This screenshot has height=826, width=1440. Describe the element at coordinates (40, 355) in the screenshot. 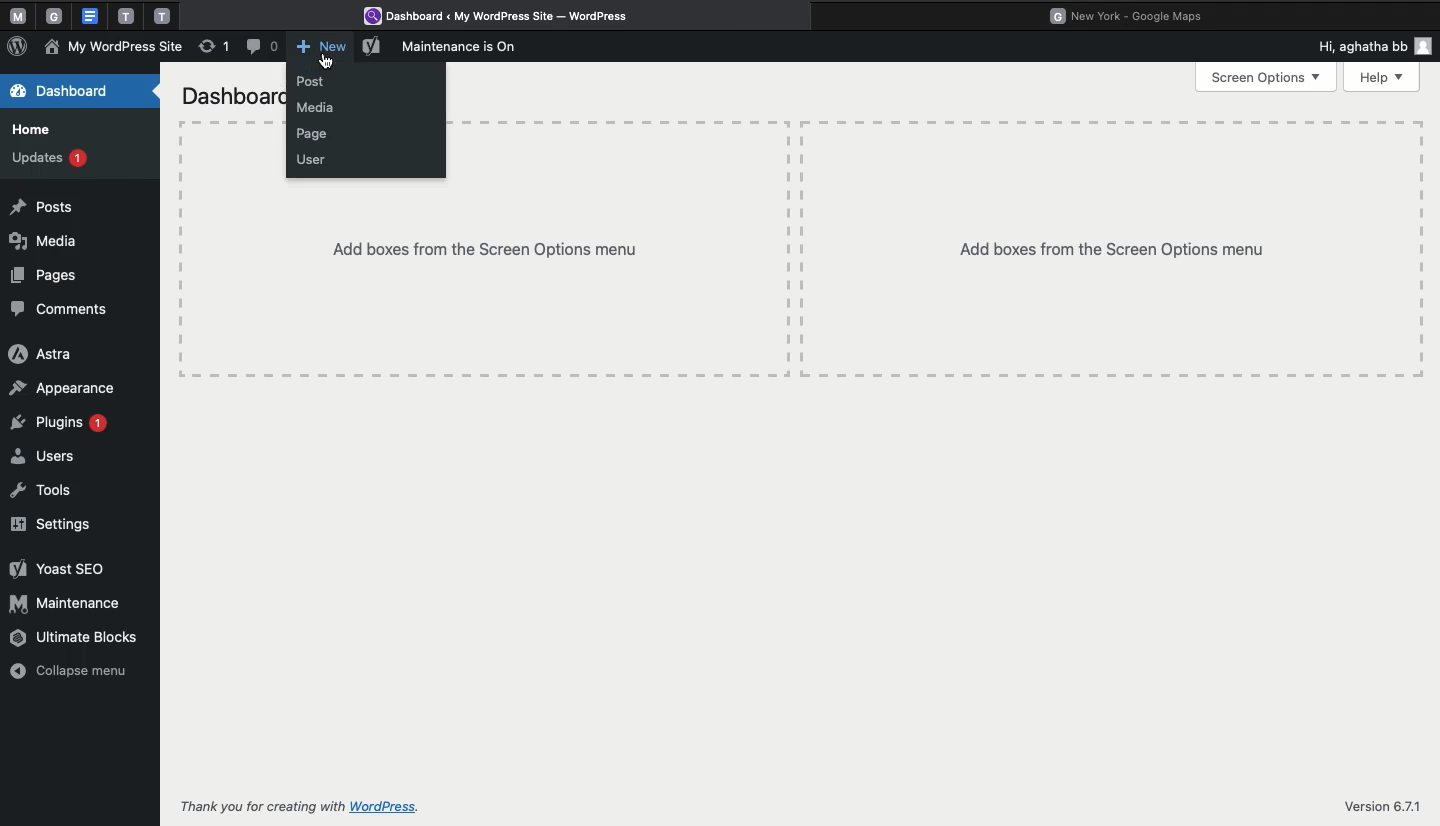

I see `Astra` at that location.